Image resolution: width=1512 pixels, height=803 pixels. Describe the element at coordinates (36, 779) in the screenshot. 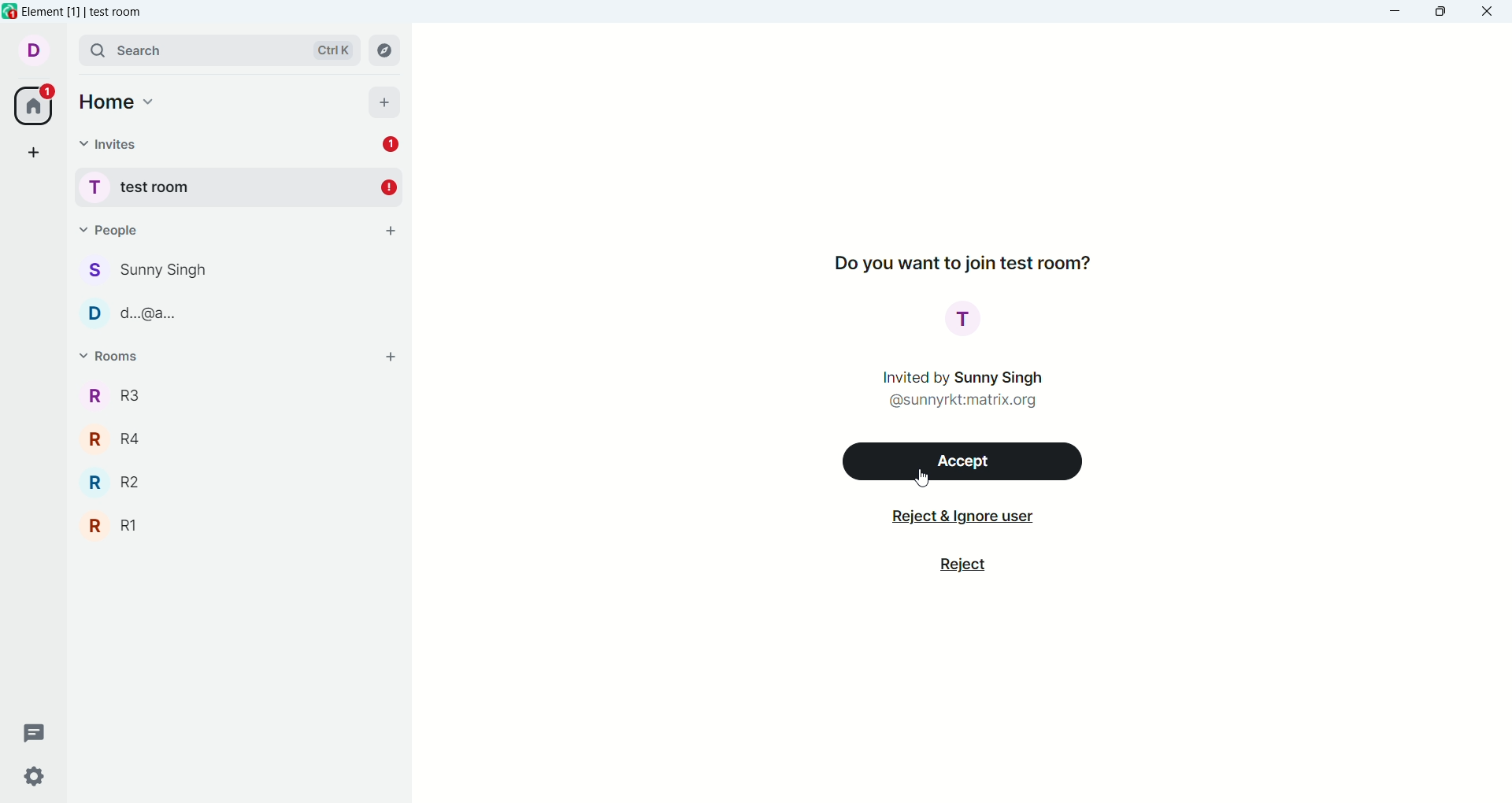

I see `settings` at that location.